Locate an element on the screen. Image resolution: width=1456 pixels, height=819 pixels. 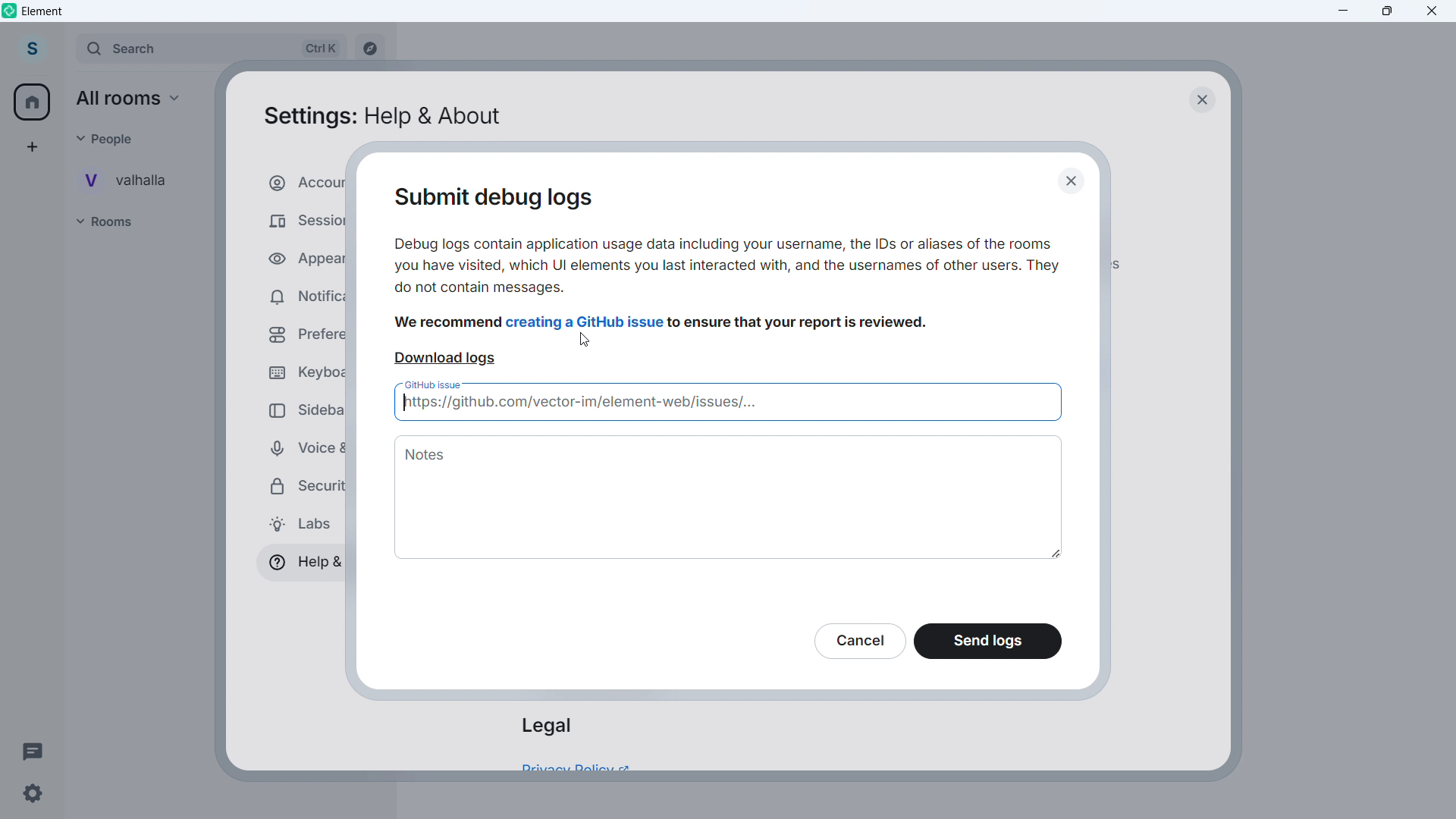
Add notes  is located at coordinates (730, 497).